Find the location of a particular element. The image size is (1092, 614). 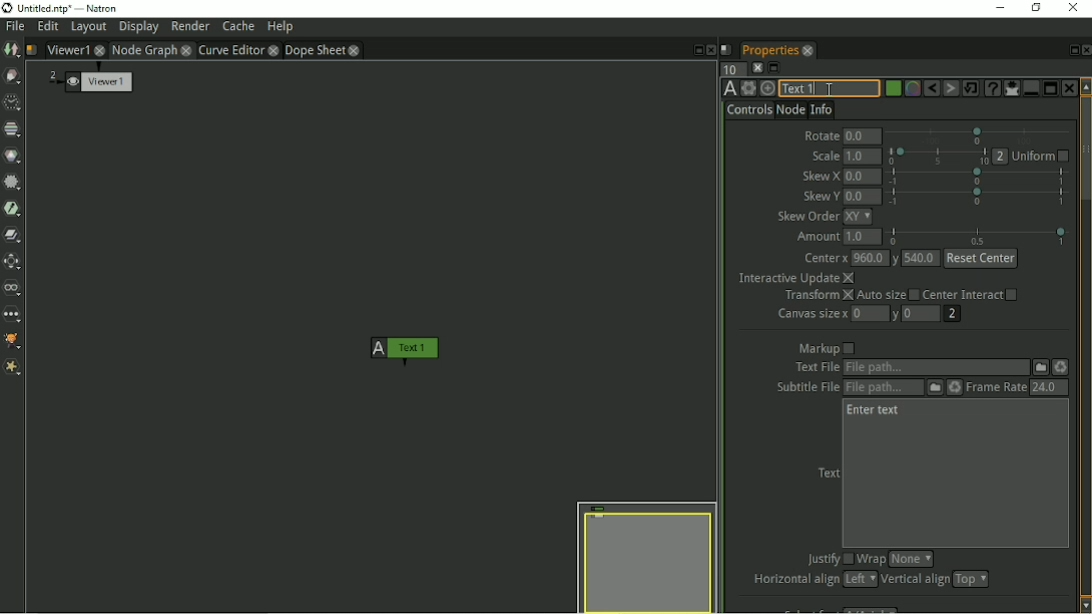

Channel is located at coordinates (13, 130).